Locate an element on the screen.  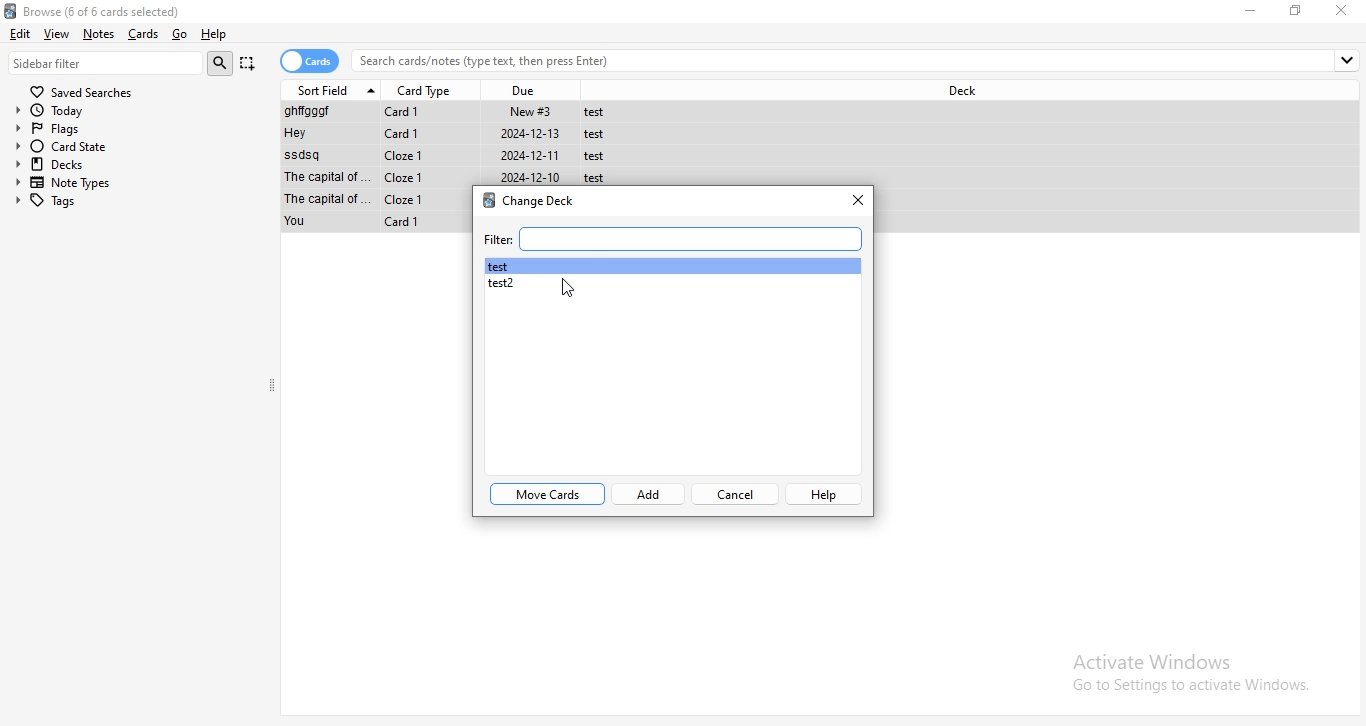
sort field is located at coordinates (334, 89).